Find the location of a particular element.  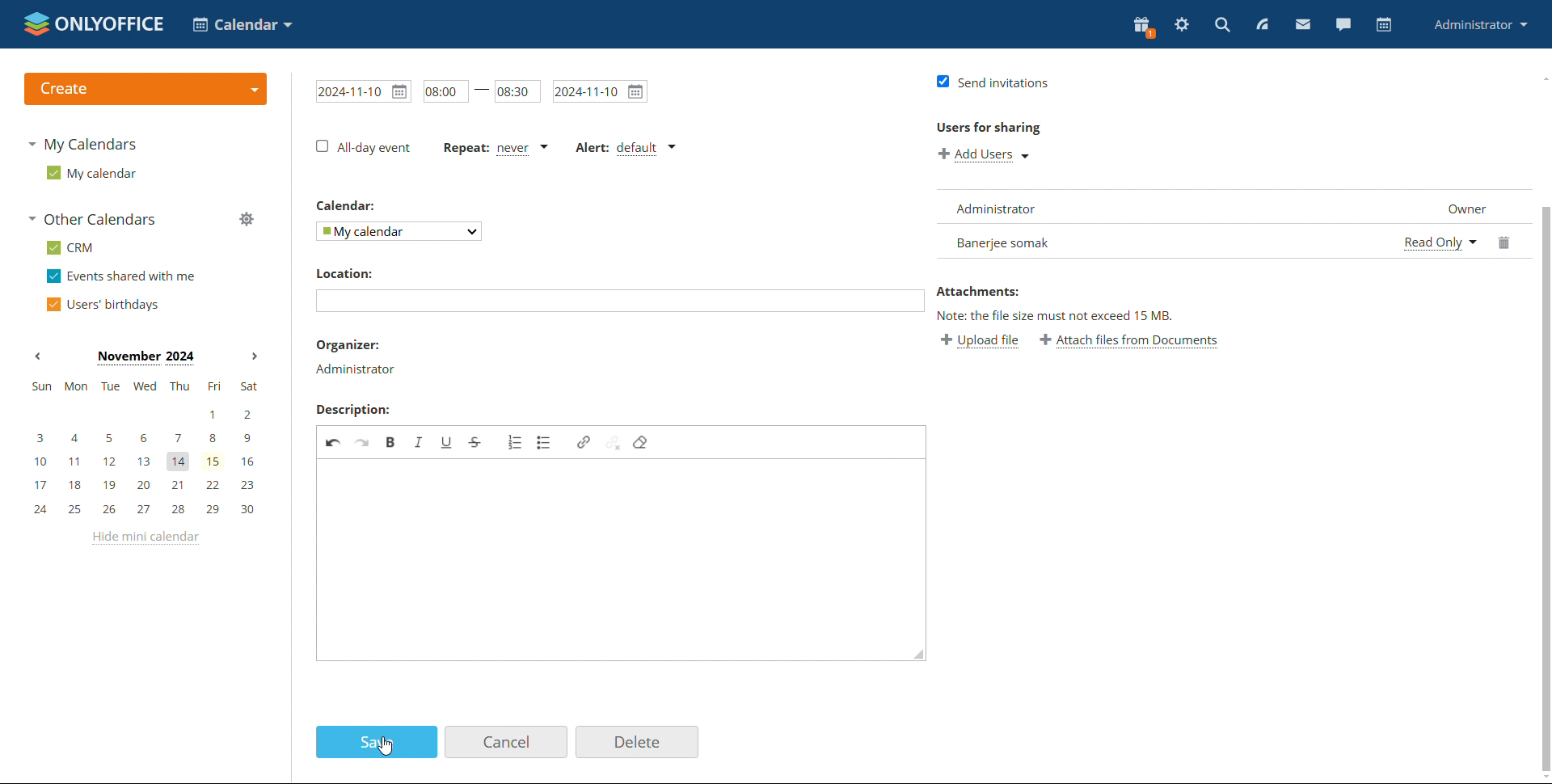

unlink is located at coordinates (614, 445).